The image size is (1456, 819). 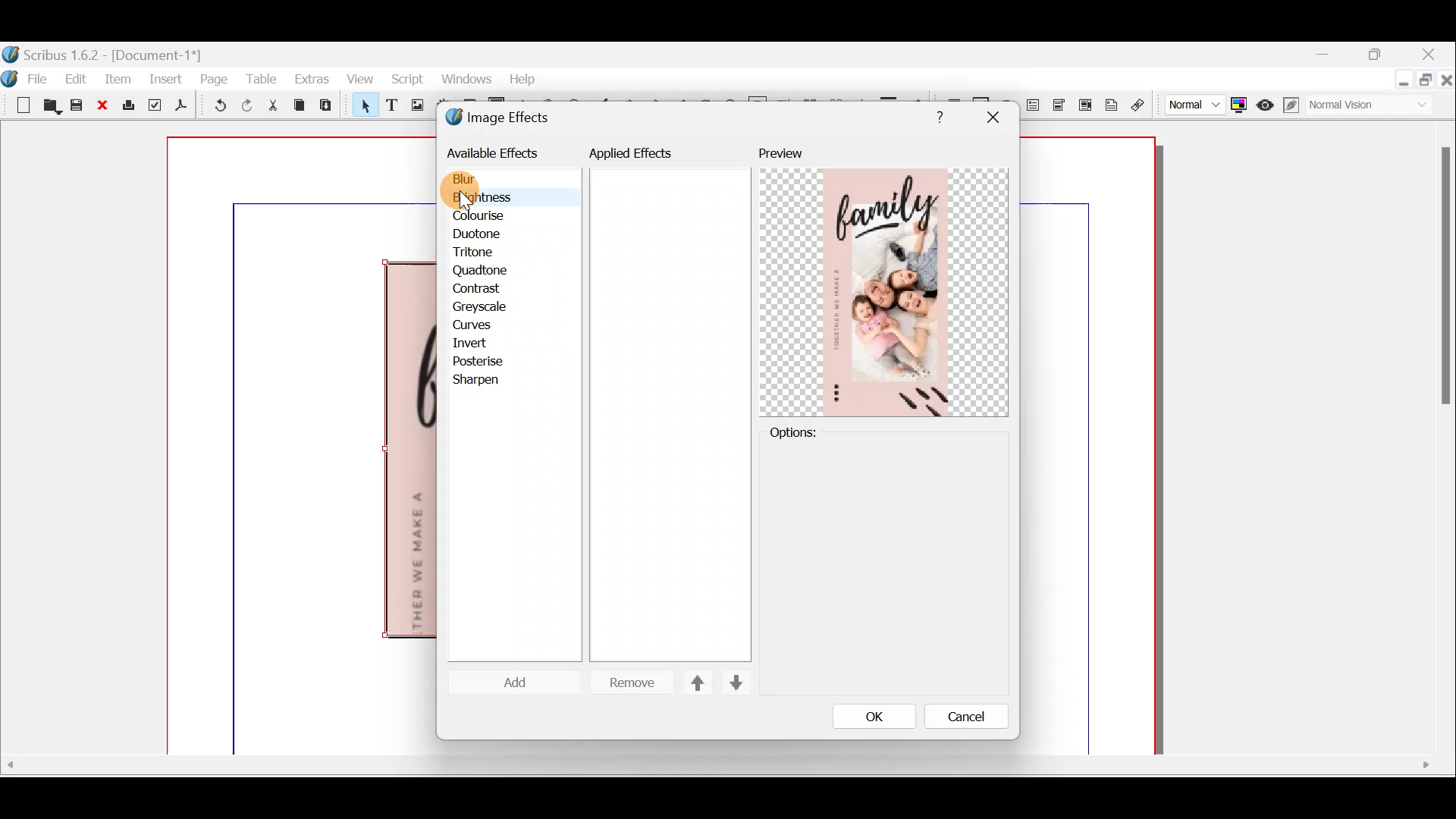 What do you see at coordinates (507, 119) in the screenshot?
I see `Image effects` at bounding box center [507, 119].